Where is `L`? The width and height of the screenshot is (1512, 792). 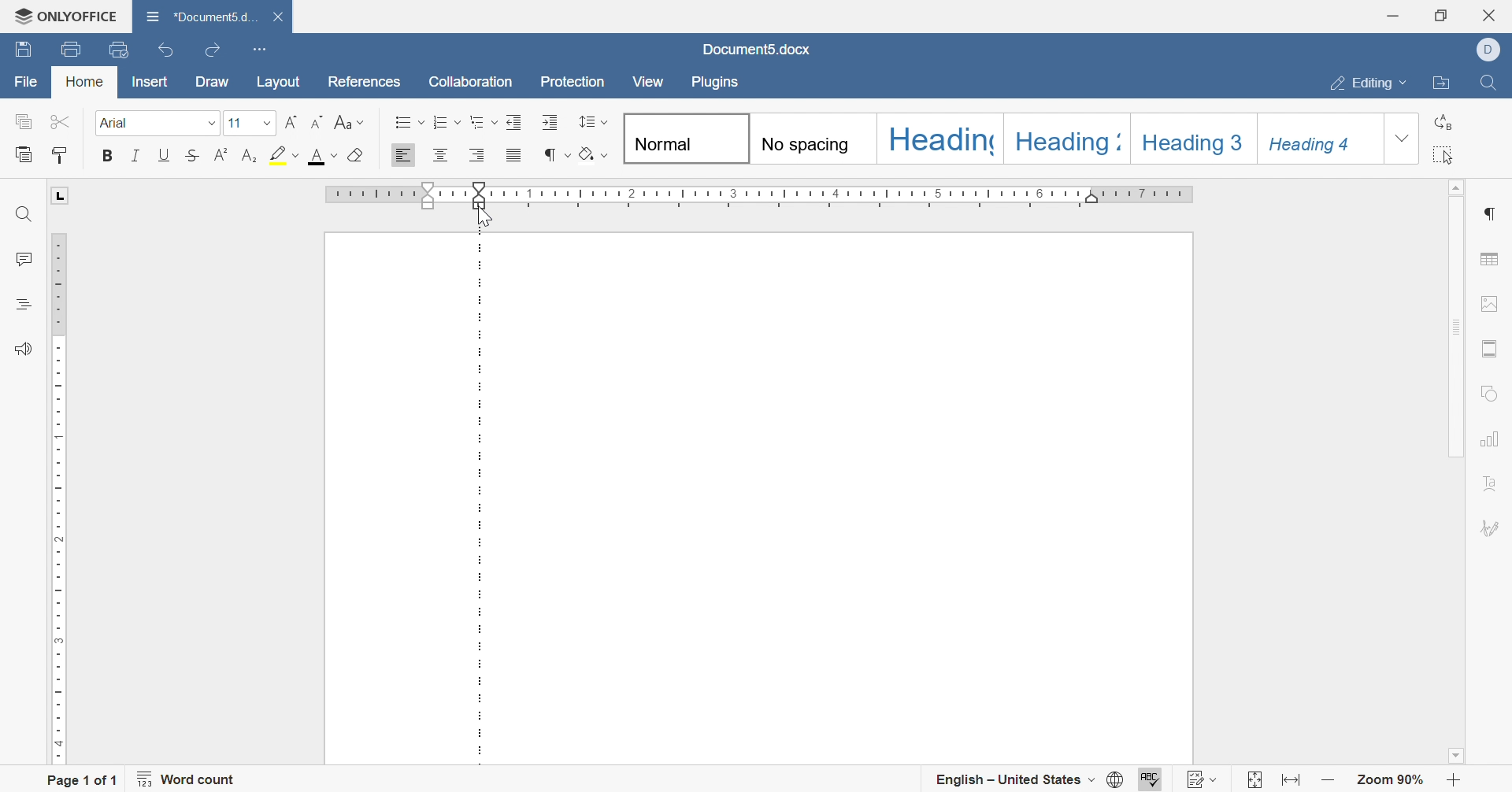
L is located at coordinates (61, 196).